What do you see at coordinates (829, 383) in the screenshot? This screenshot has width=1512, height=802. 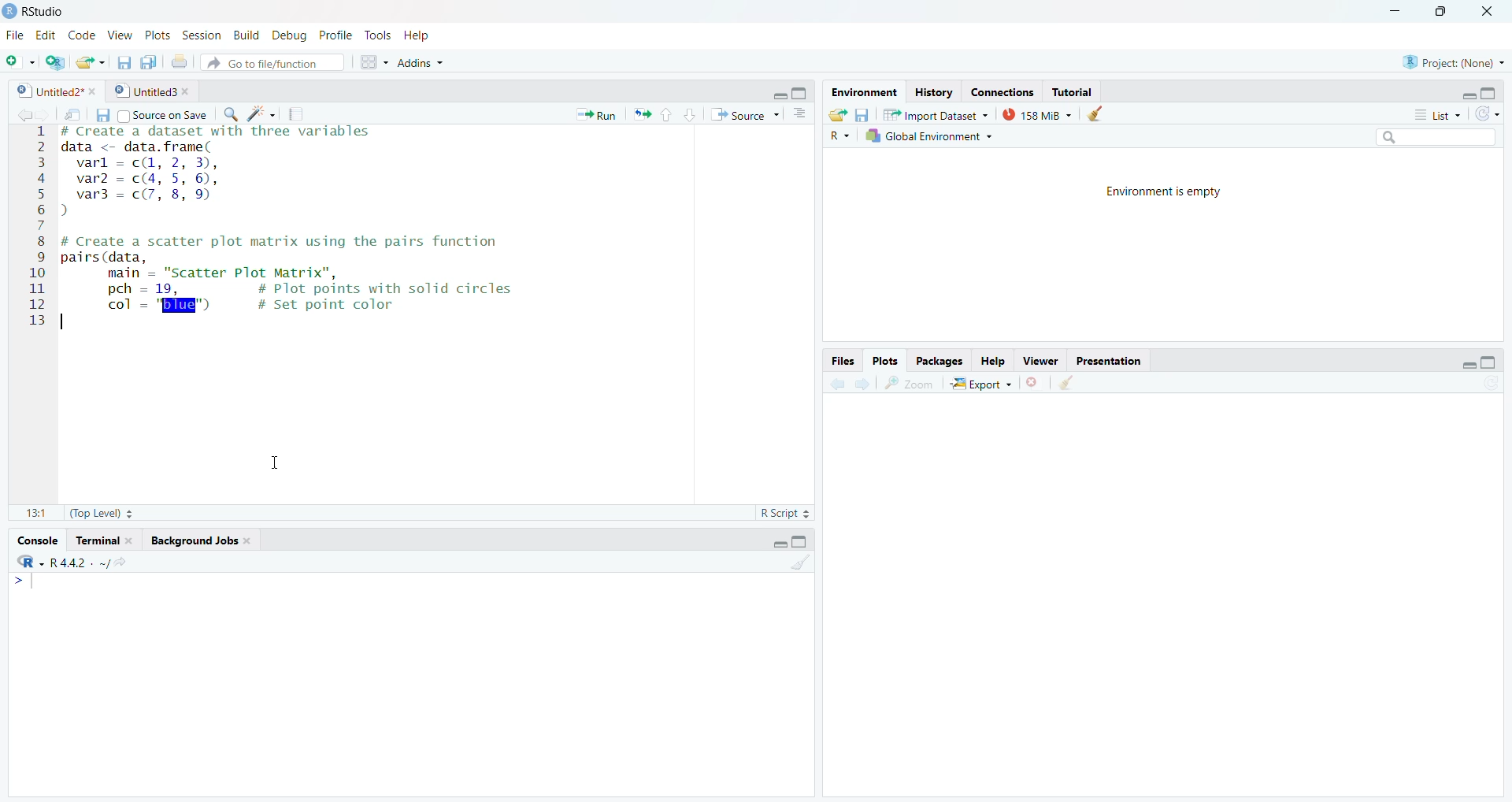 I see `backward` at bounding box center [829, 383].